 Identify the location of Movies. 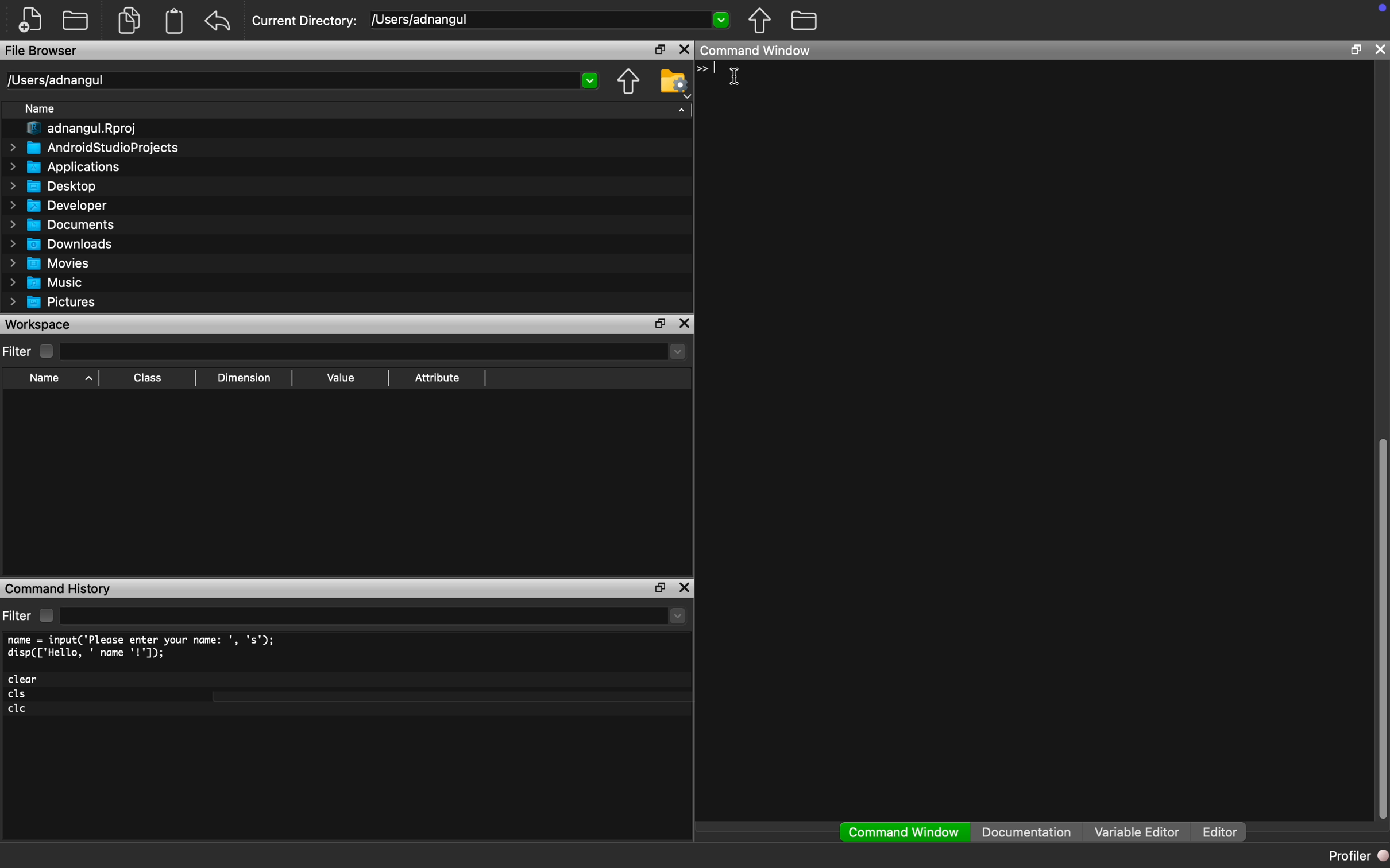
(47, 263).